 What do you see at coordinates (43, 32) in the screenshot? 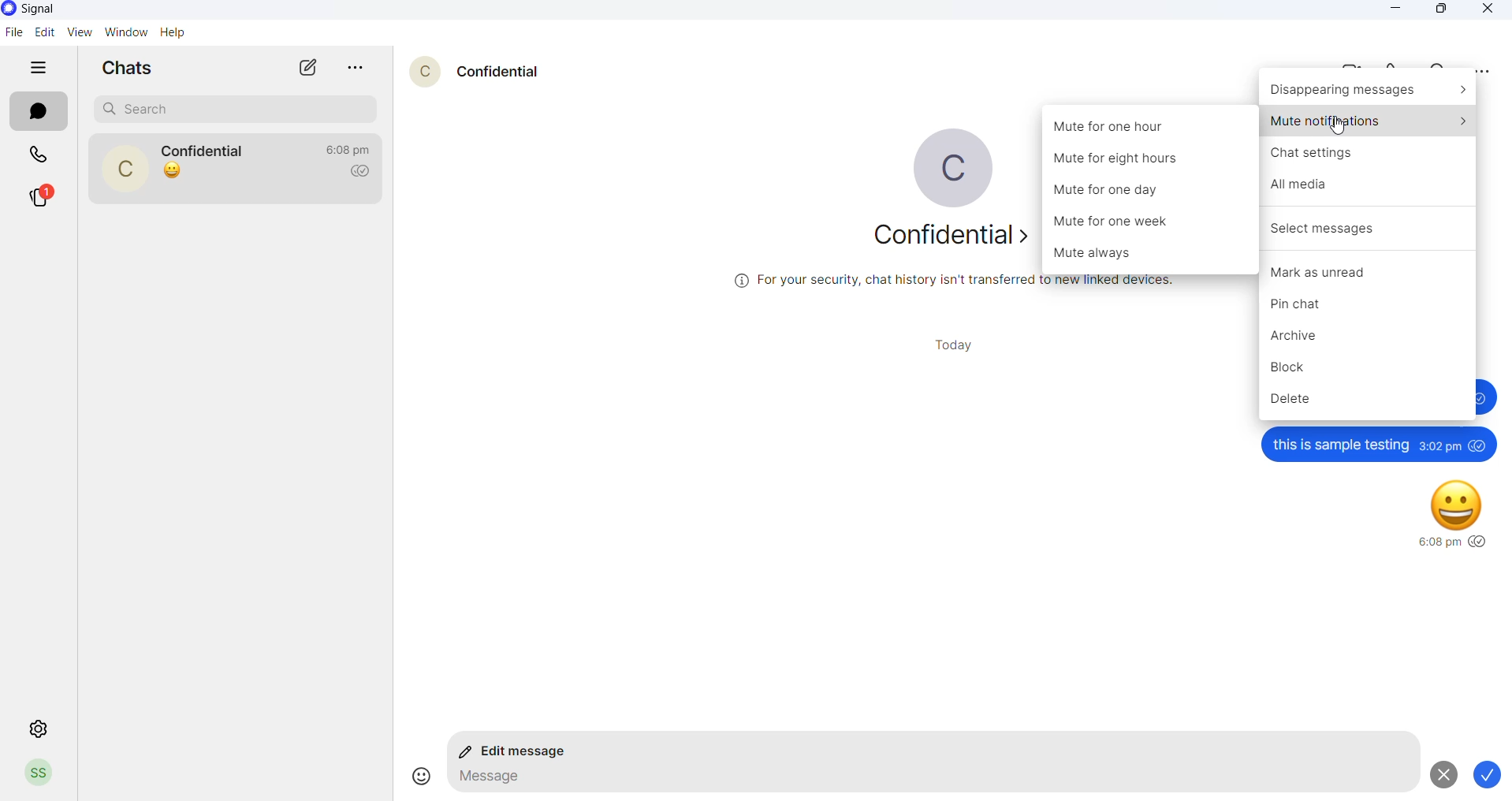
I see `edit` at bounding box center [43, 32].